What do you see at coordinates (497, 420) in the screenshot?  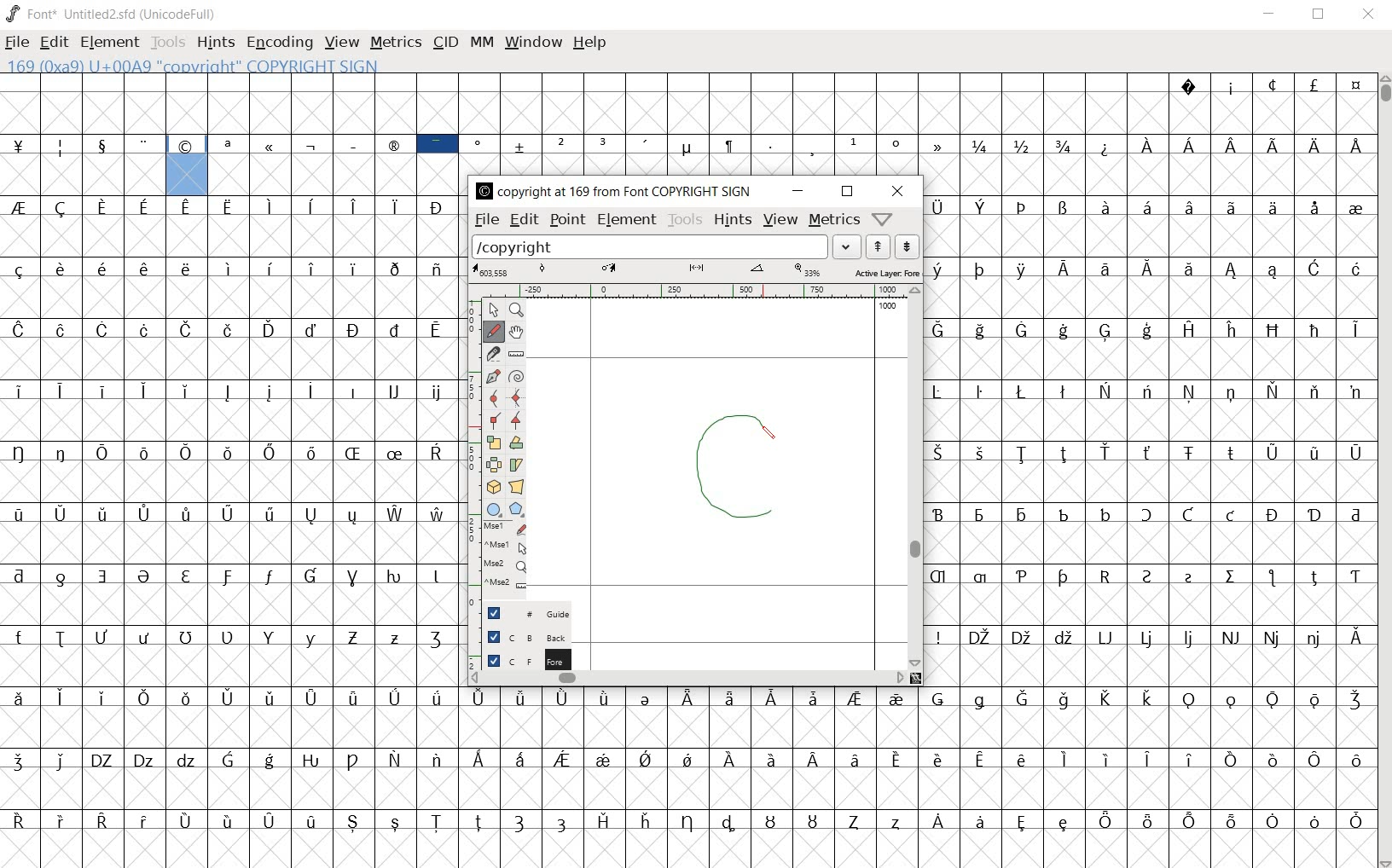 I see `Add a corner point` at bounding box center [497, 420].